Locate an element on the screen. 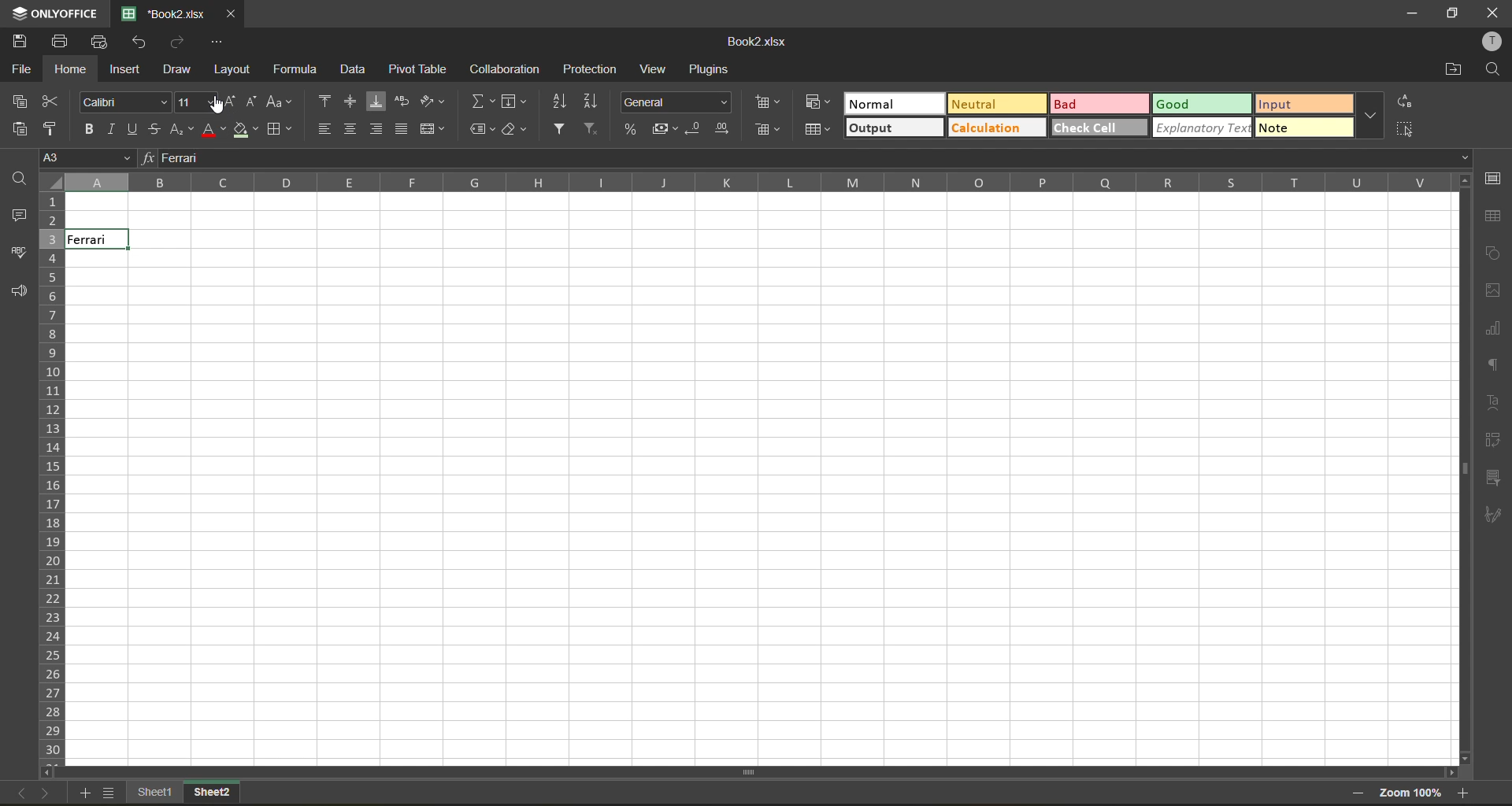  add sheet is located at coordinates (87, 795).